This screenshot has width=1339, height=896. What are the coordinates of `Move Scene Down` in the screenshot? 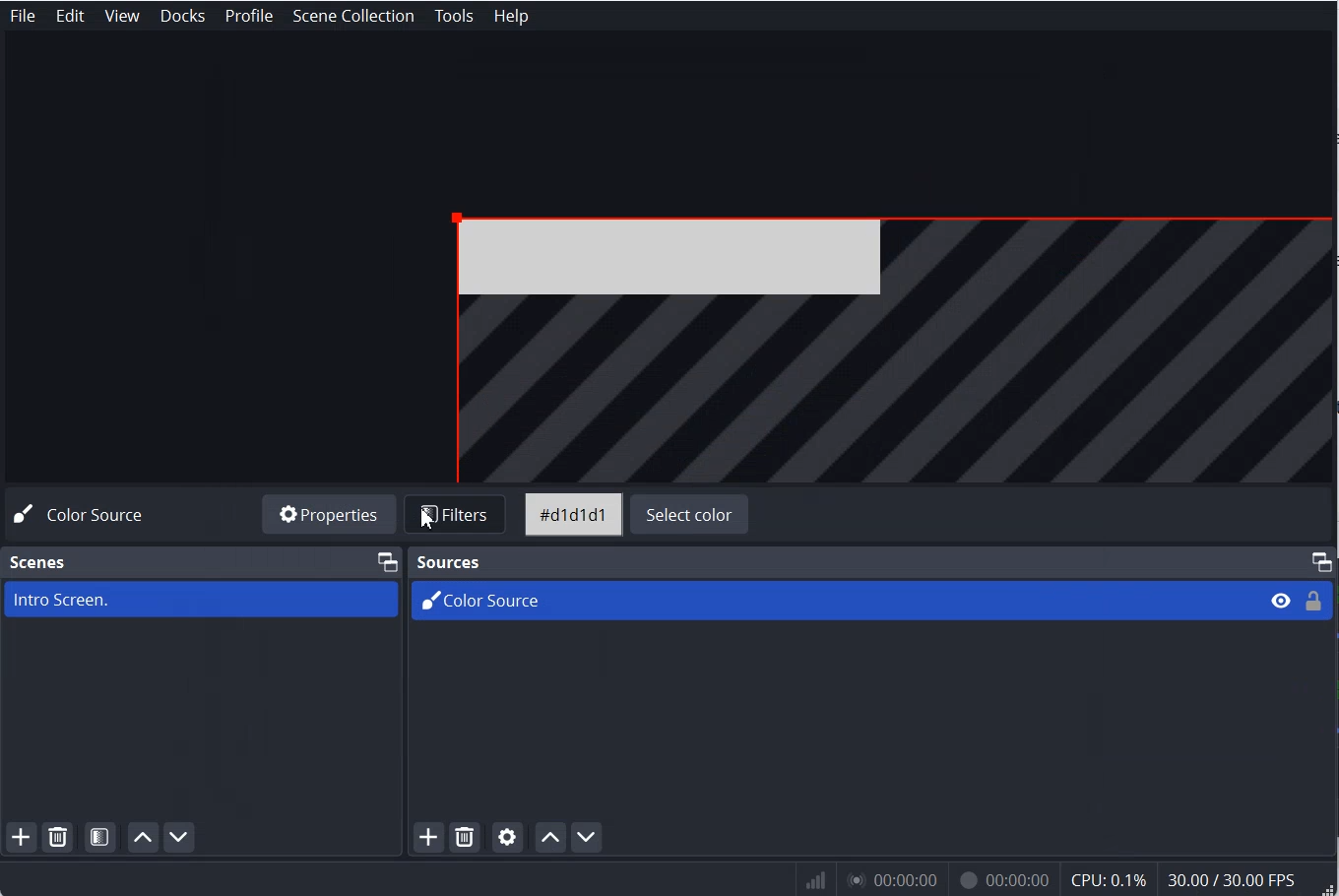 It's located at (181, 838).